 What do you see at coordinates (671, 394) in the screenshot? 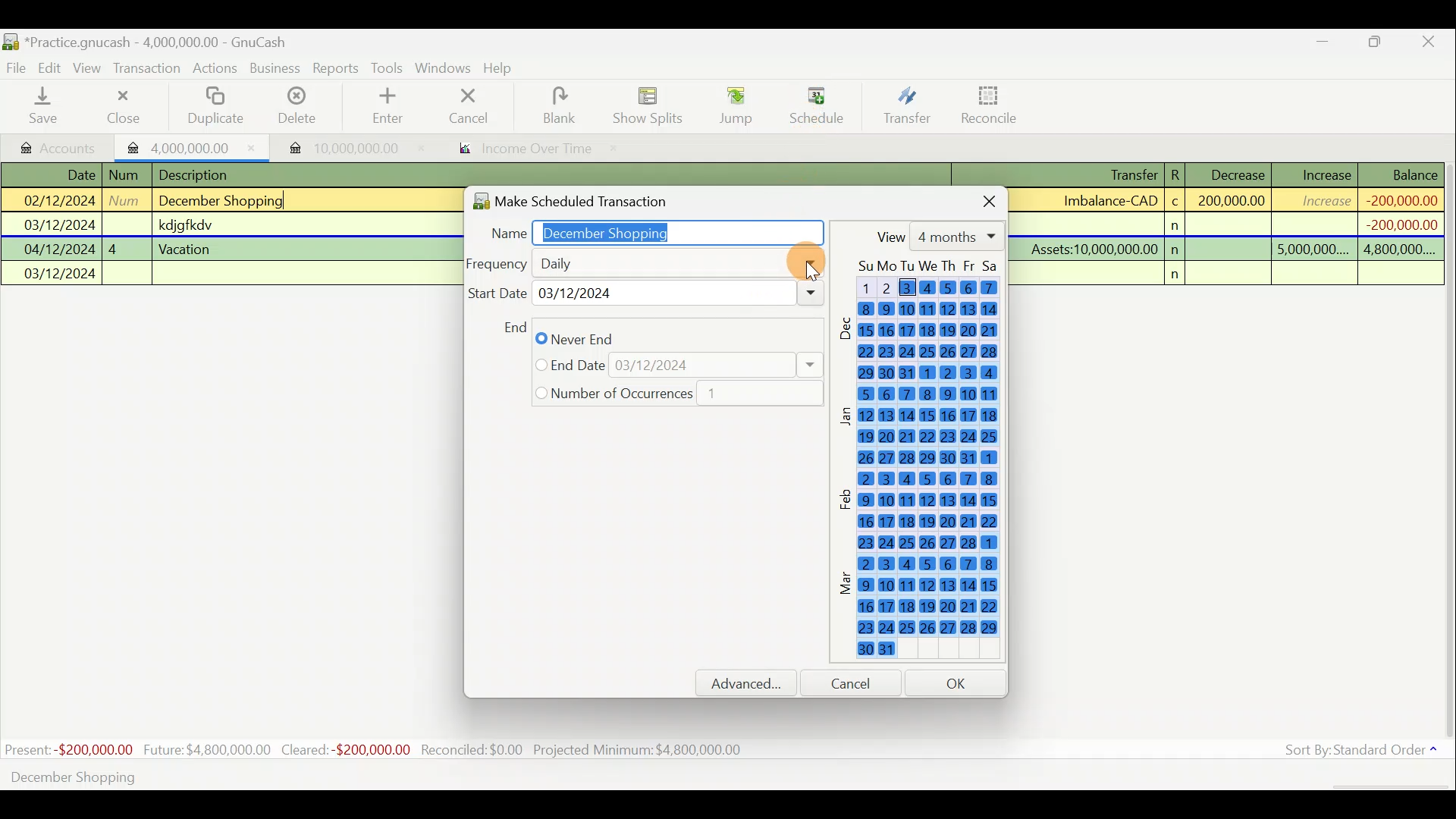
I see `Number of occurences` at bounding box center [671, 394].